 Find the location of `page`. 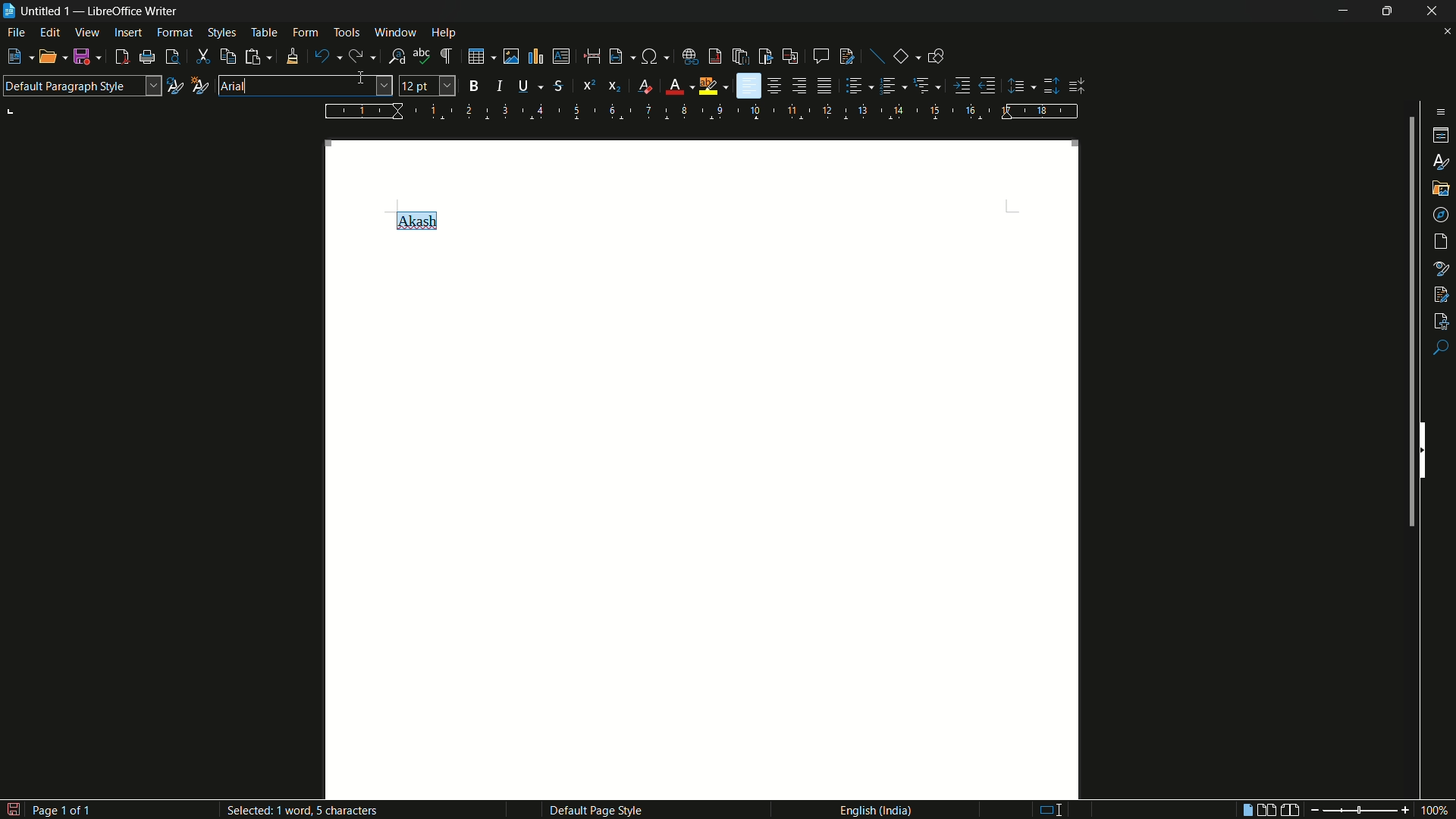

page is located at coordinates (1442, 242).